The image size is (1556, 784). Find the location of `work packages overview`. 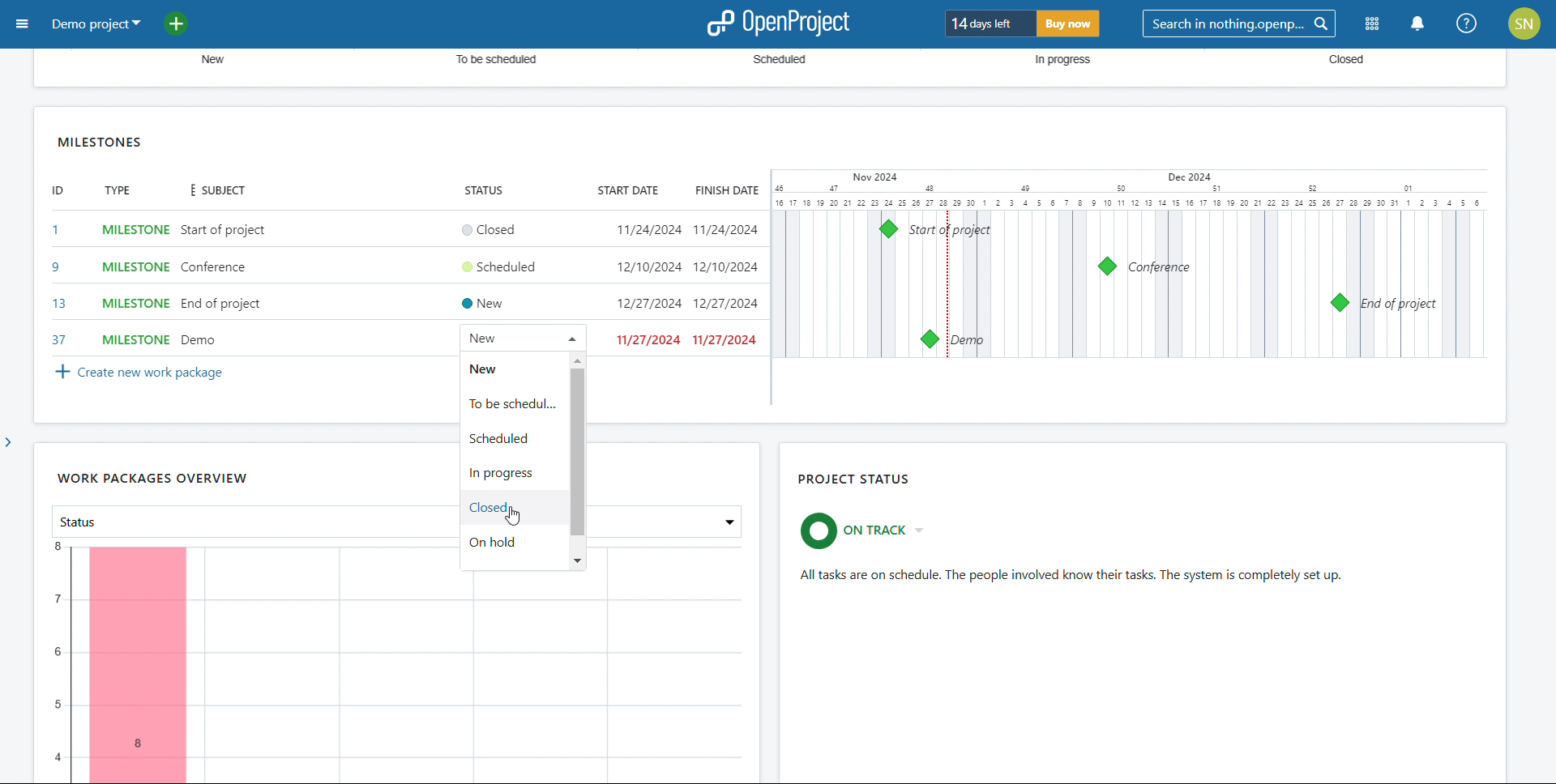

work packages overview is located at coordinates (151, 479).